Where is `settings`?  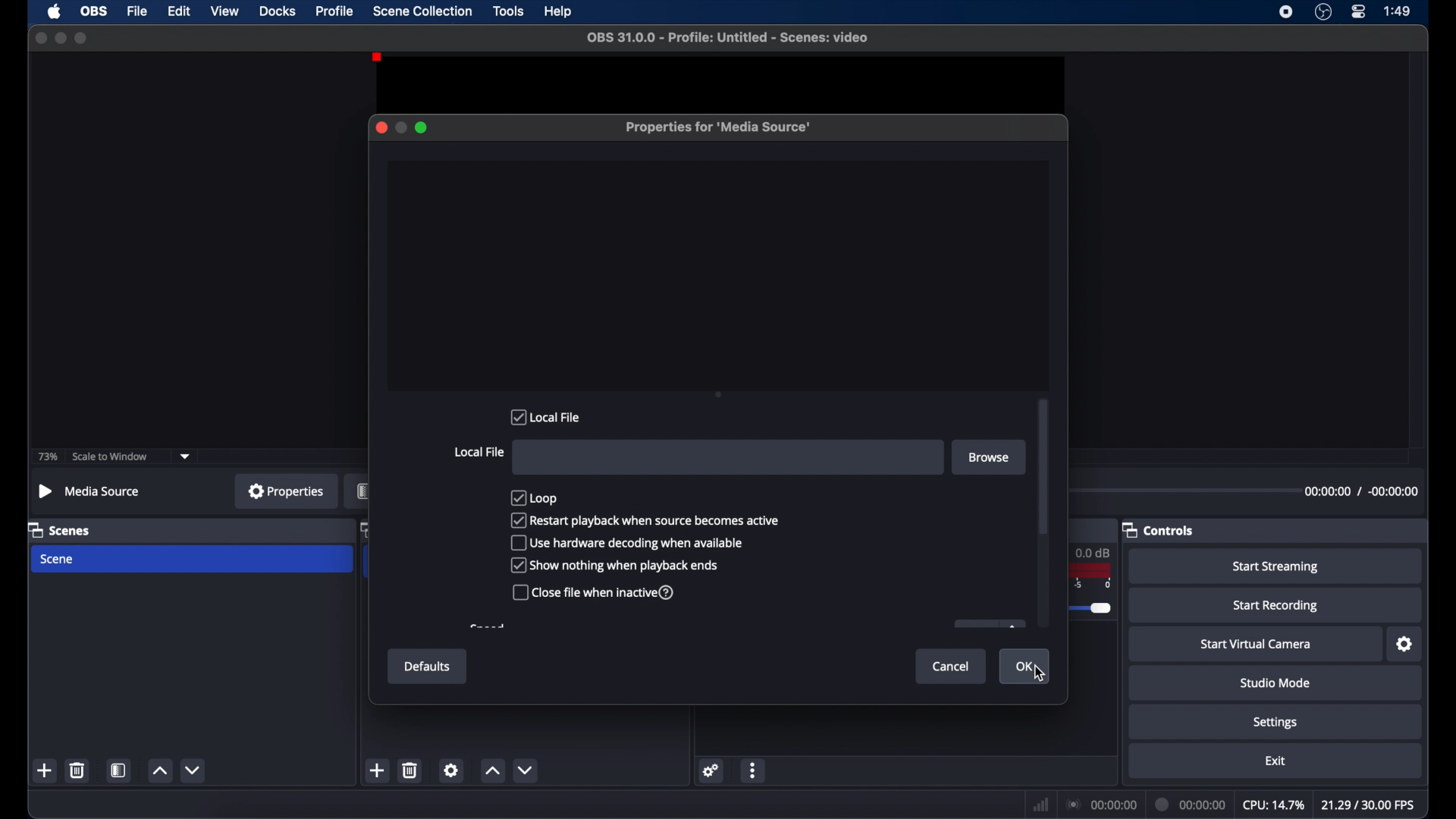
settings is located at coordinates (450, 771).